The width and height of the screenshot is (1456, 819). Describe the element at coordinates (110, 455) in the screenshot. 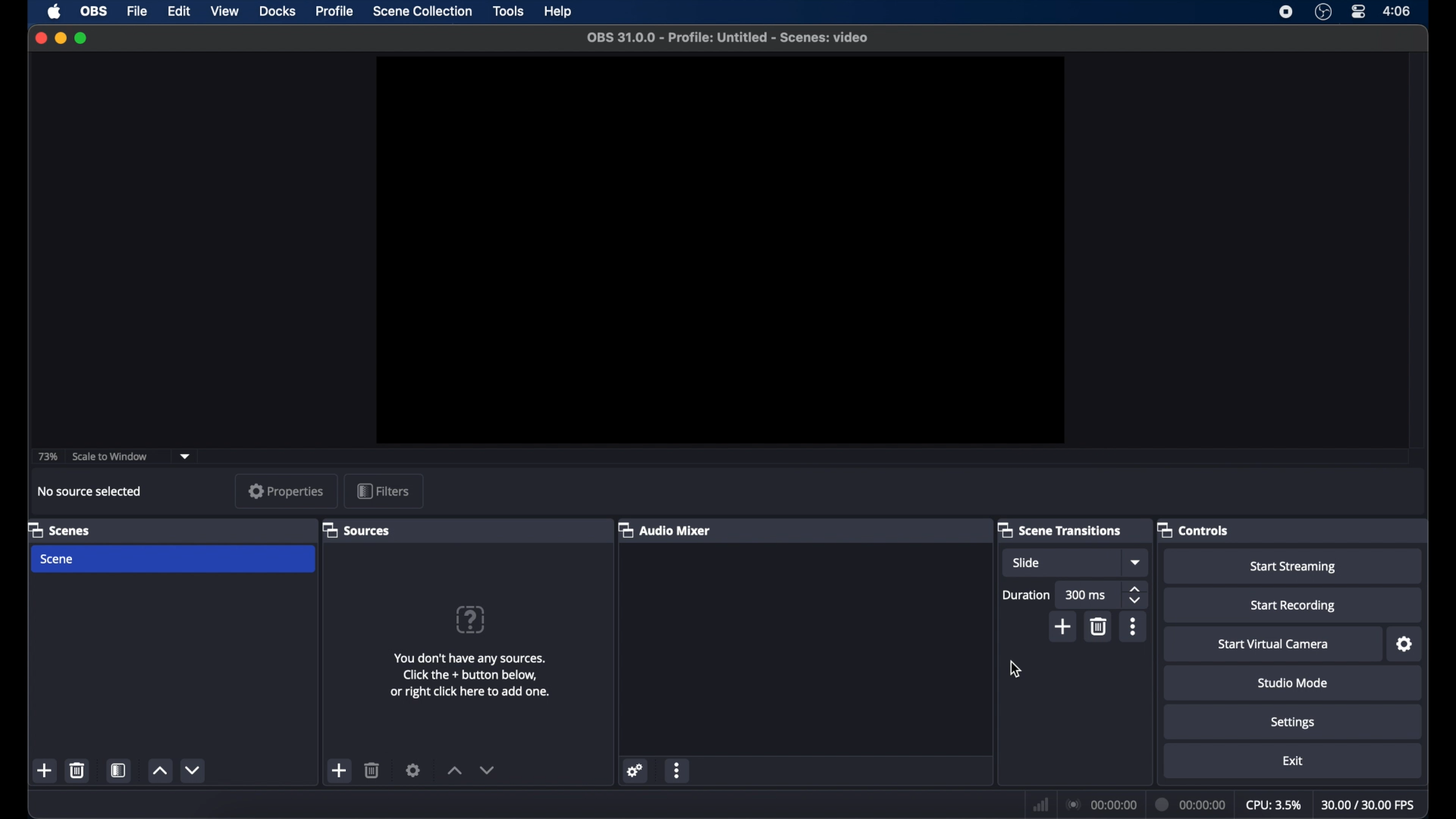

I see `scale to window` at that location.